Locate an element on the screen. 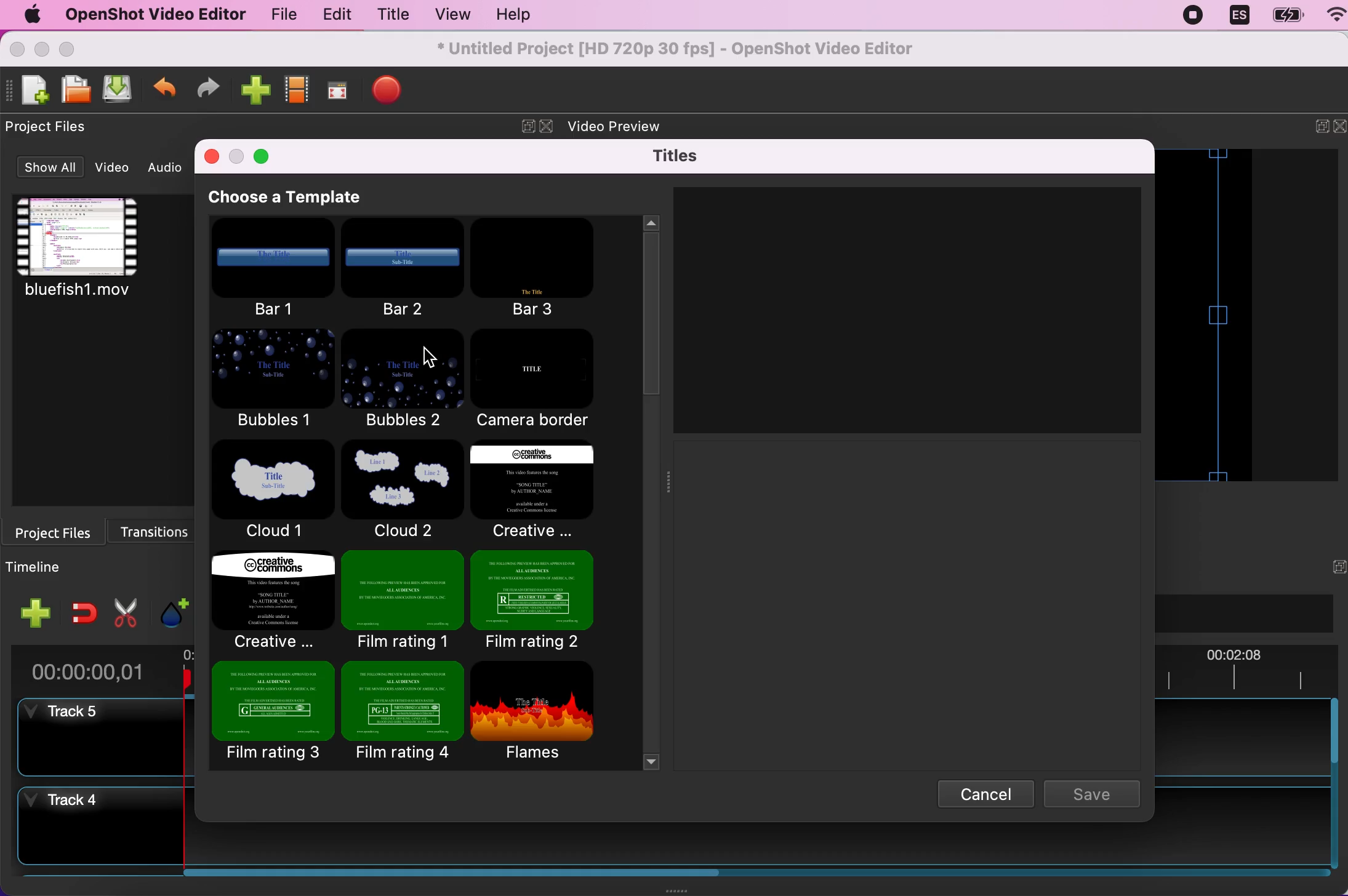 The height and width of the screenshot is (896, 1348). save is located at coordinates (1096, 794).